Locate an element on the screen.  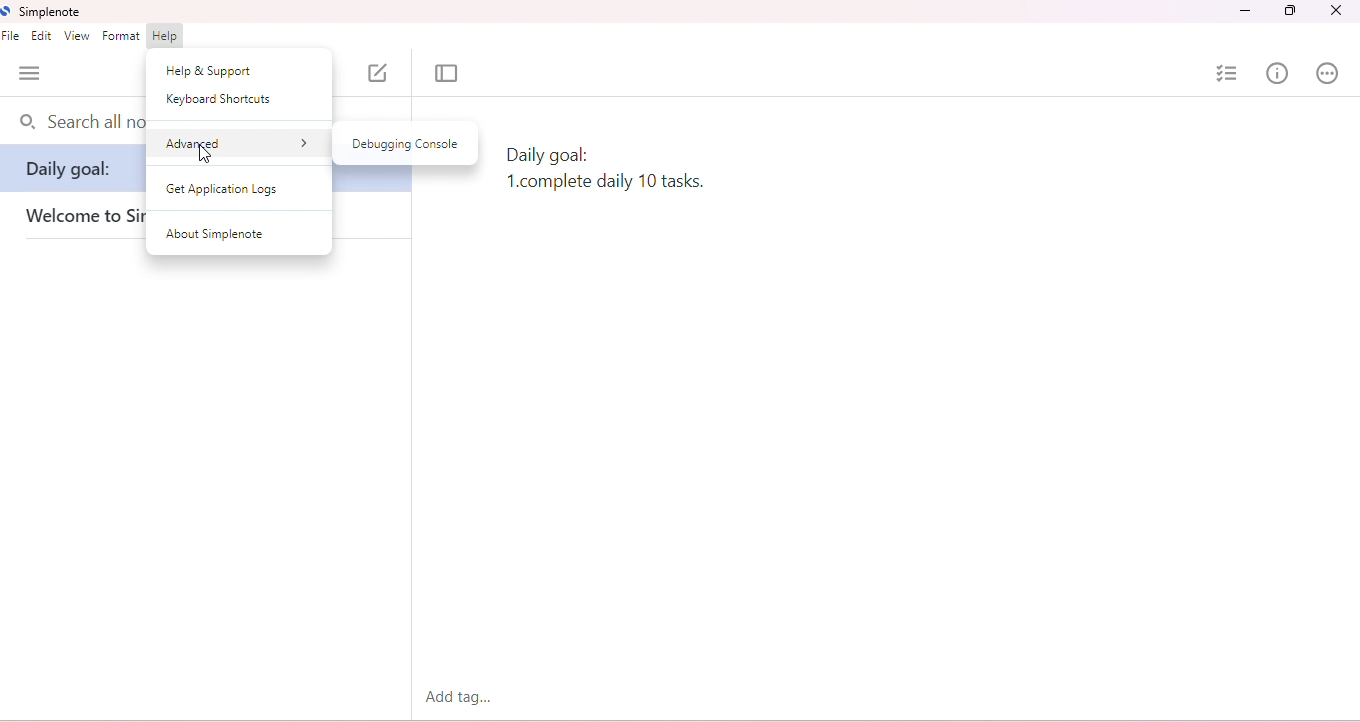
minimize is located at coordinates (1242, 13).